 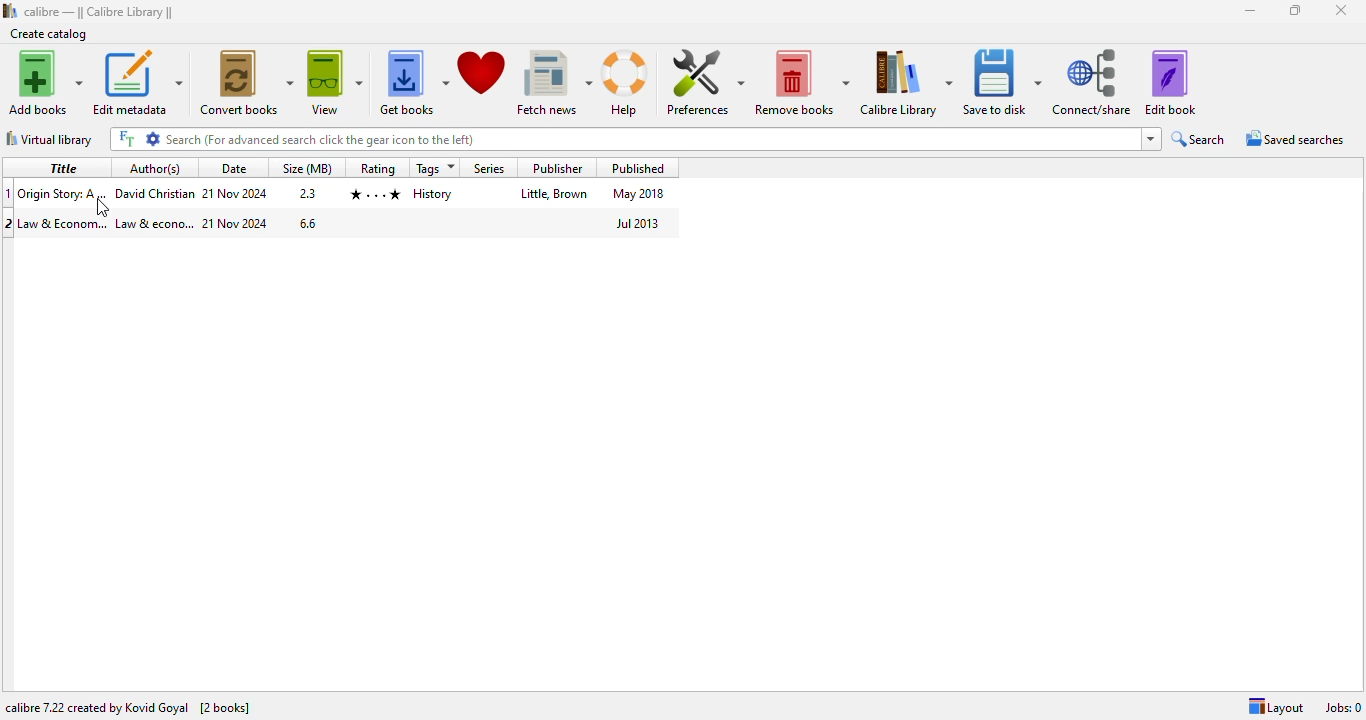 What do you see at coordinates (414, 84) in the screenshot?
I see `get books` at bounding box center [414, 84].